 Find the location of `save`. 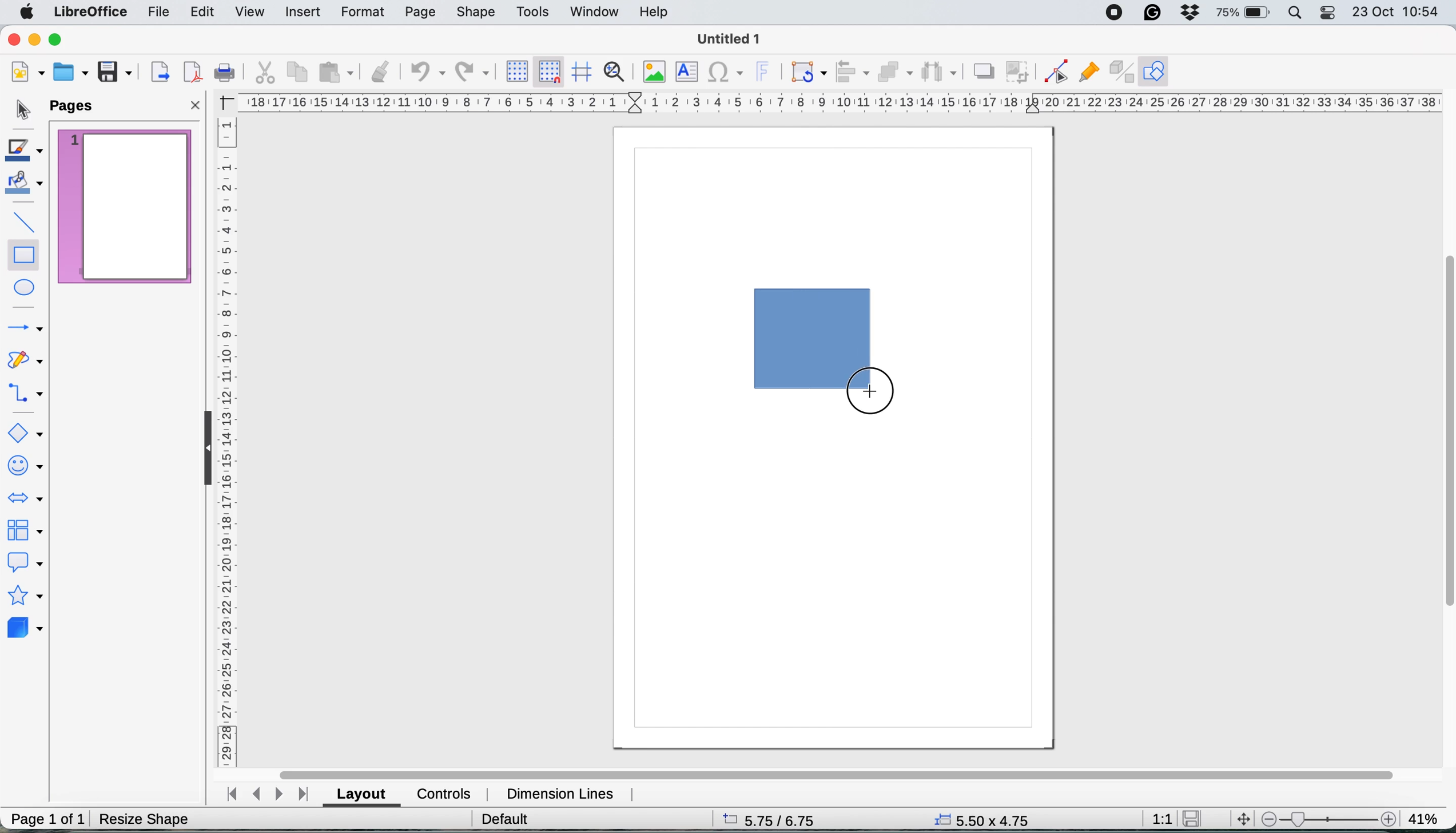

save is located at coordinates (112, 72).